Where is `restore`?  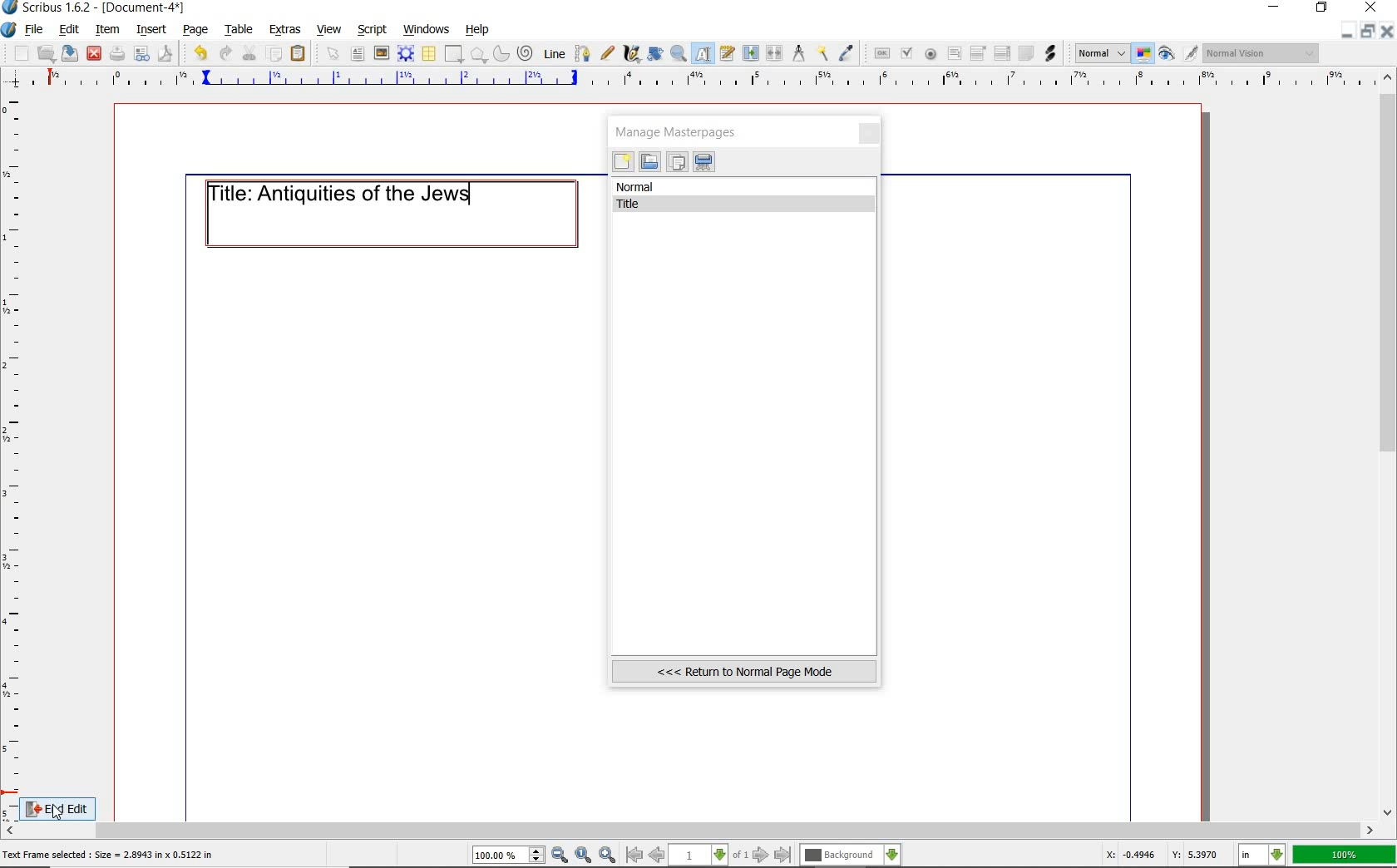
restore is located at coordinates (1370, 32).